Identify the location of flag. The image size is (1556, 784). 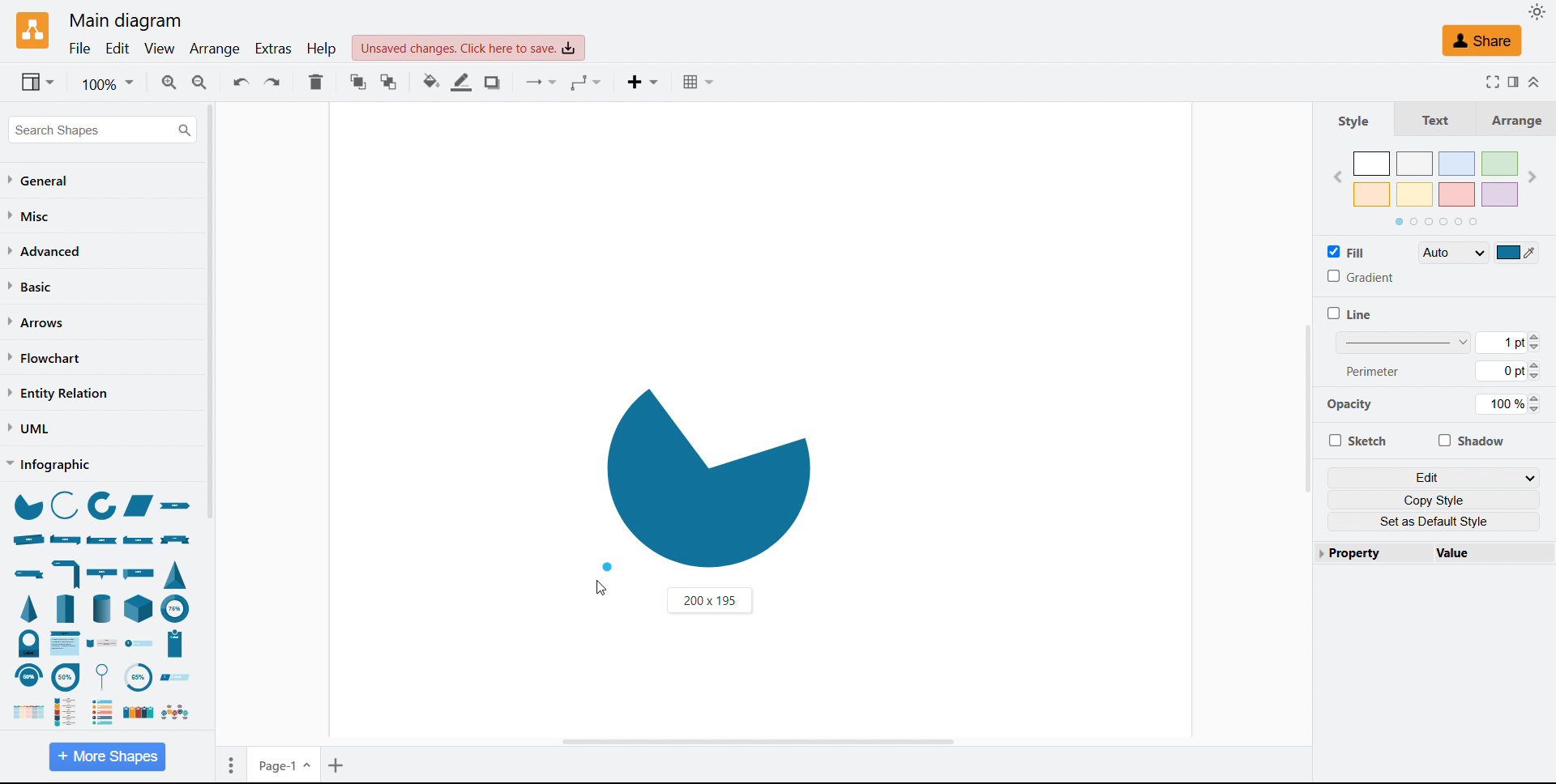
(141, 572).